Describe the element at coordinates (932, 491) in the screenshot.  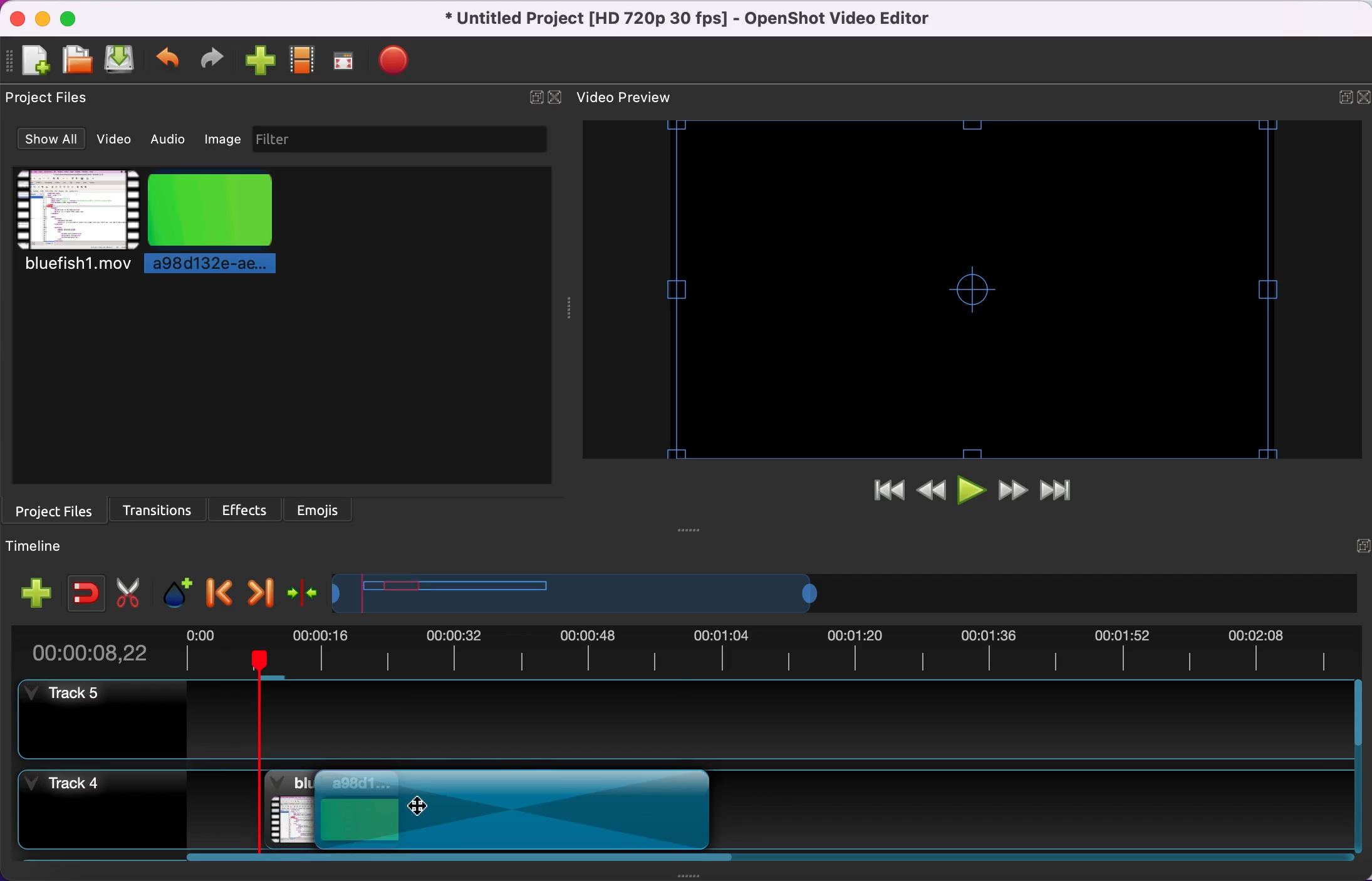
I see `rewind` at that location.